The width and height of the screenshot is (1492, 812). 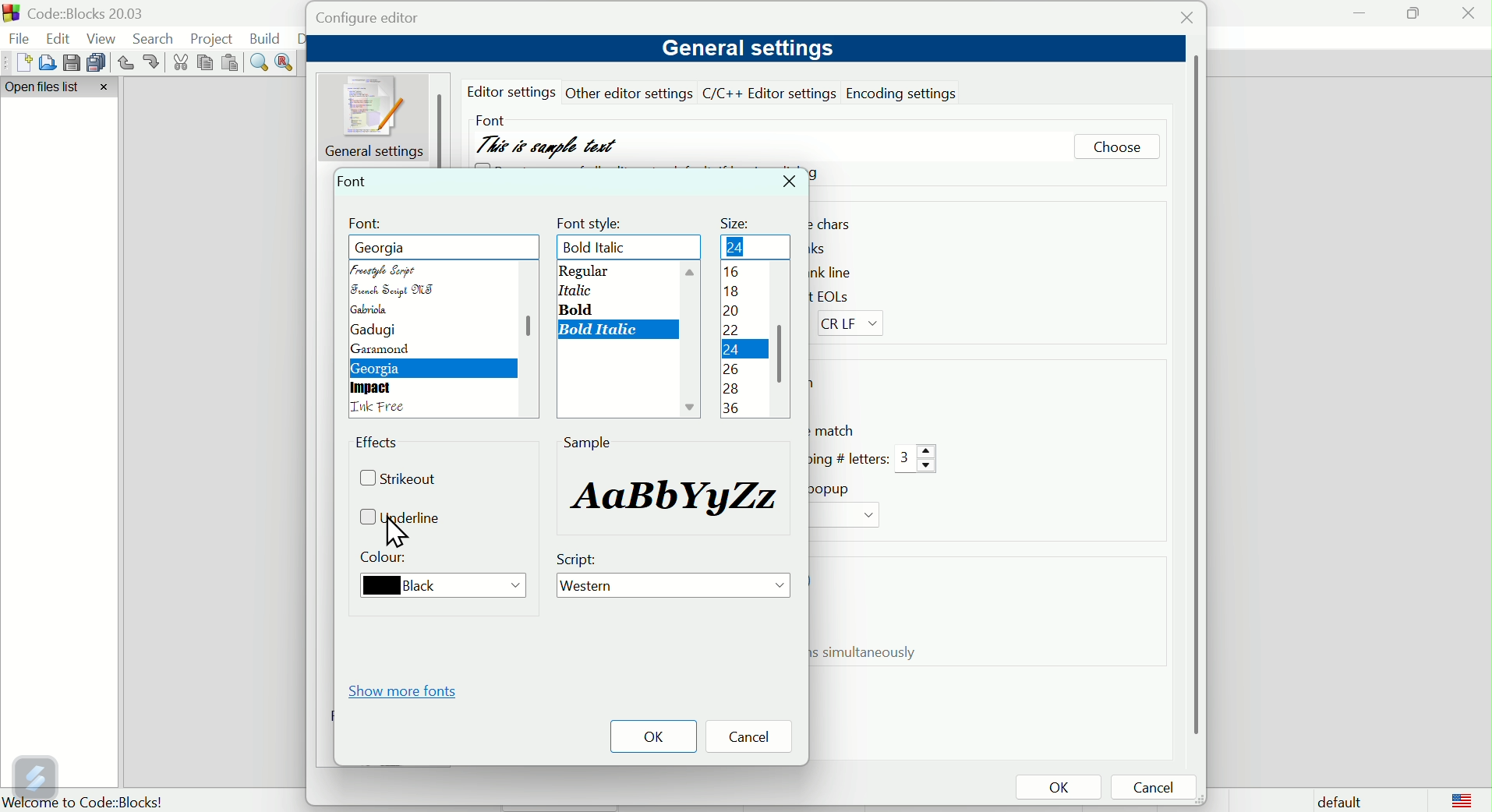 I want to click on simultaneously, so click(x=872, y=653).